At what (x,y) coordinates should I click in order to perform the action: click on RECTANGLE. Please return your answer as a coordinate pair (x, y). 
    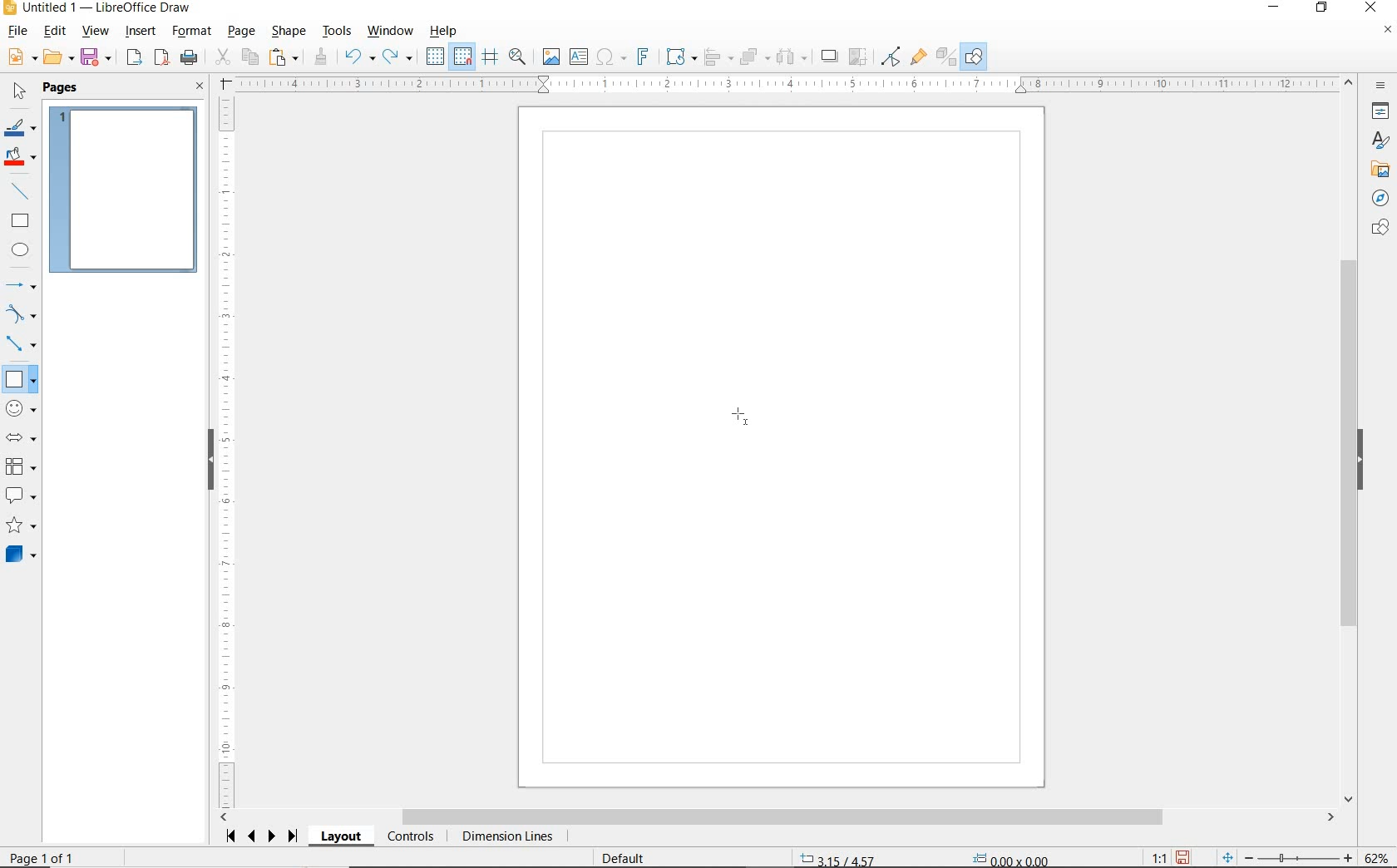
    Looking at the image, I should click on (21, 220).